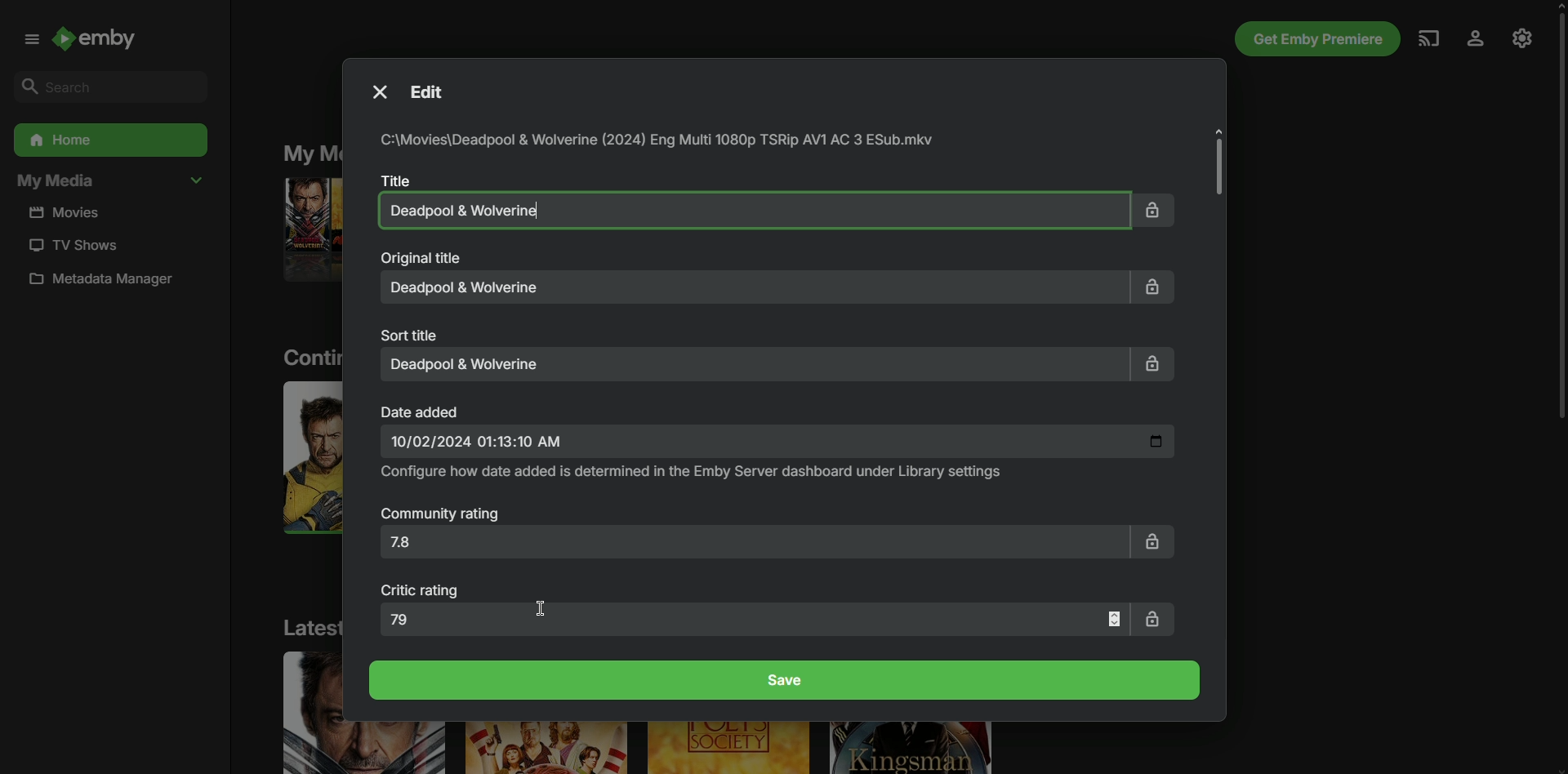  Describe the element at coordinates (393, 180) in the screenshot. I see `Title` at that location.